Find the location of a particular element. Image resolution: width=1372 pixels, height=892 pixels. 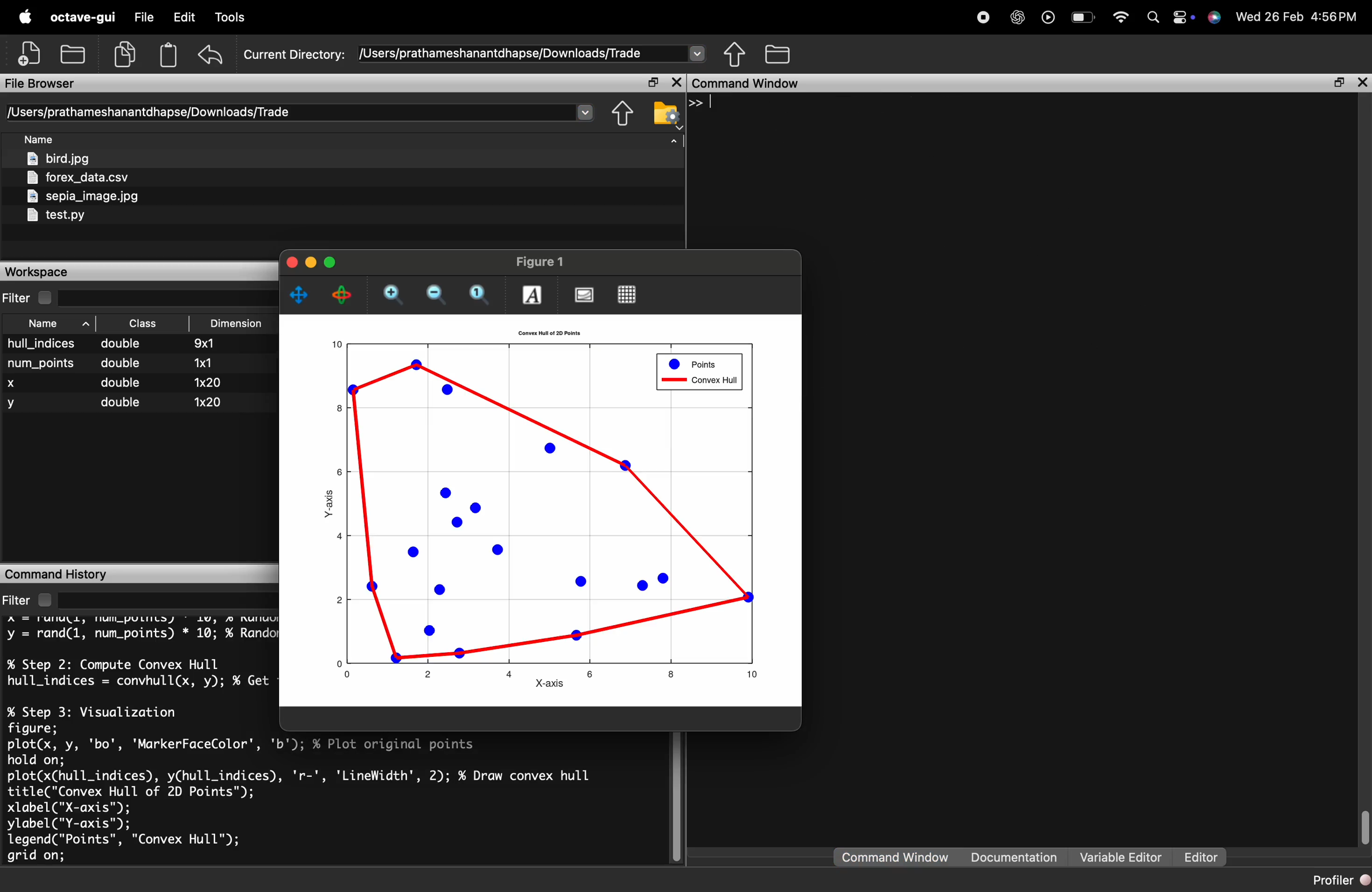

Clipboard  is located at coordinates (168, 55).